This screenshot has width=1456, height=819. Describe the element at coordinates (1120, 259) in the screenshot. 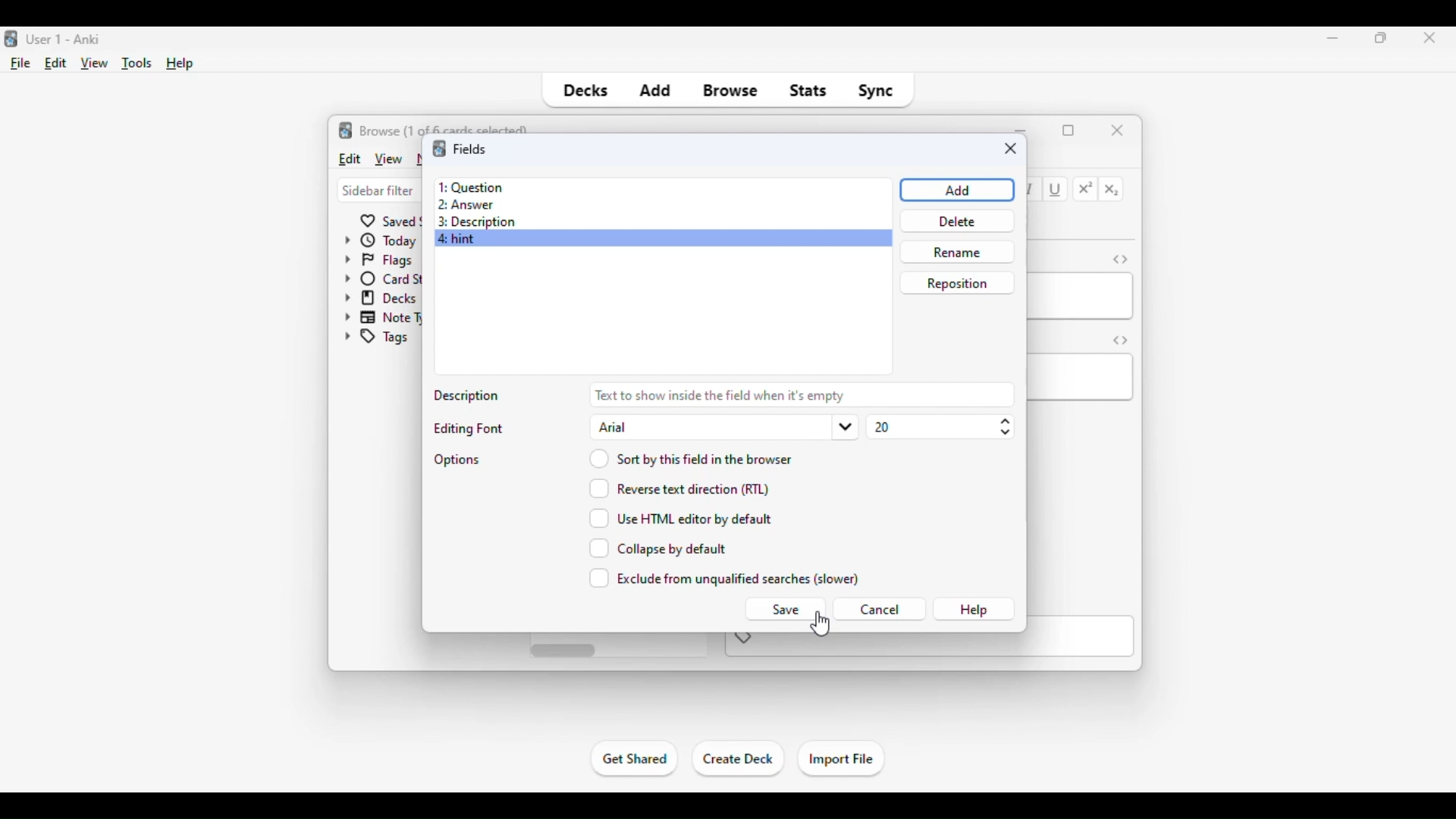

I see `toggle HTML editor` at that location.